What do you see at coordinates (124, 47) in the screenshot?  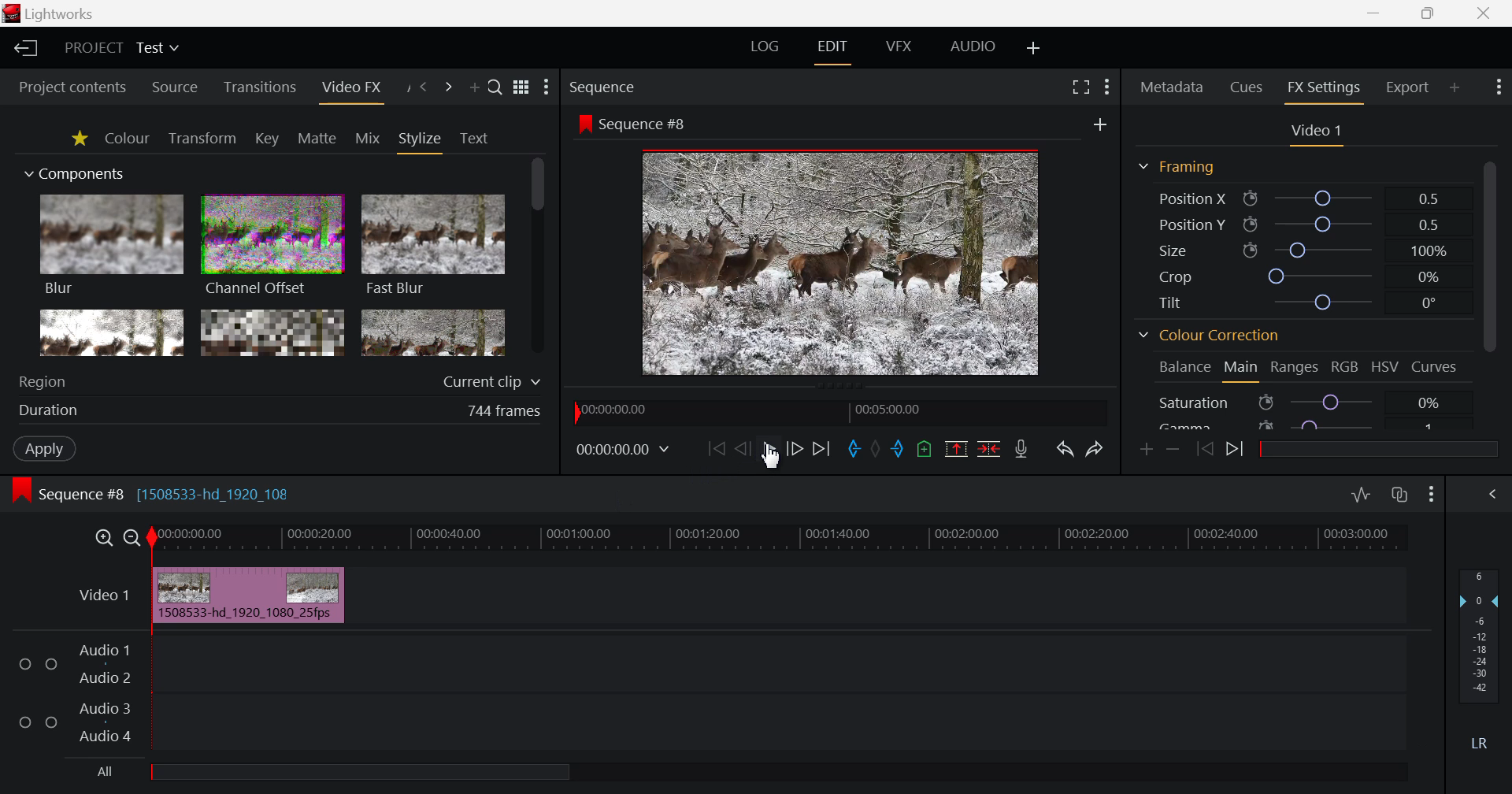 I see `Project Title` at bounding box center [124, 47].